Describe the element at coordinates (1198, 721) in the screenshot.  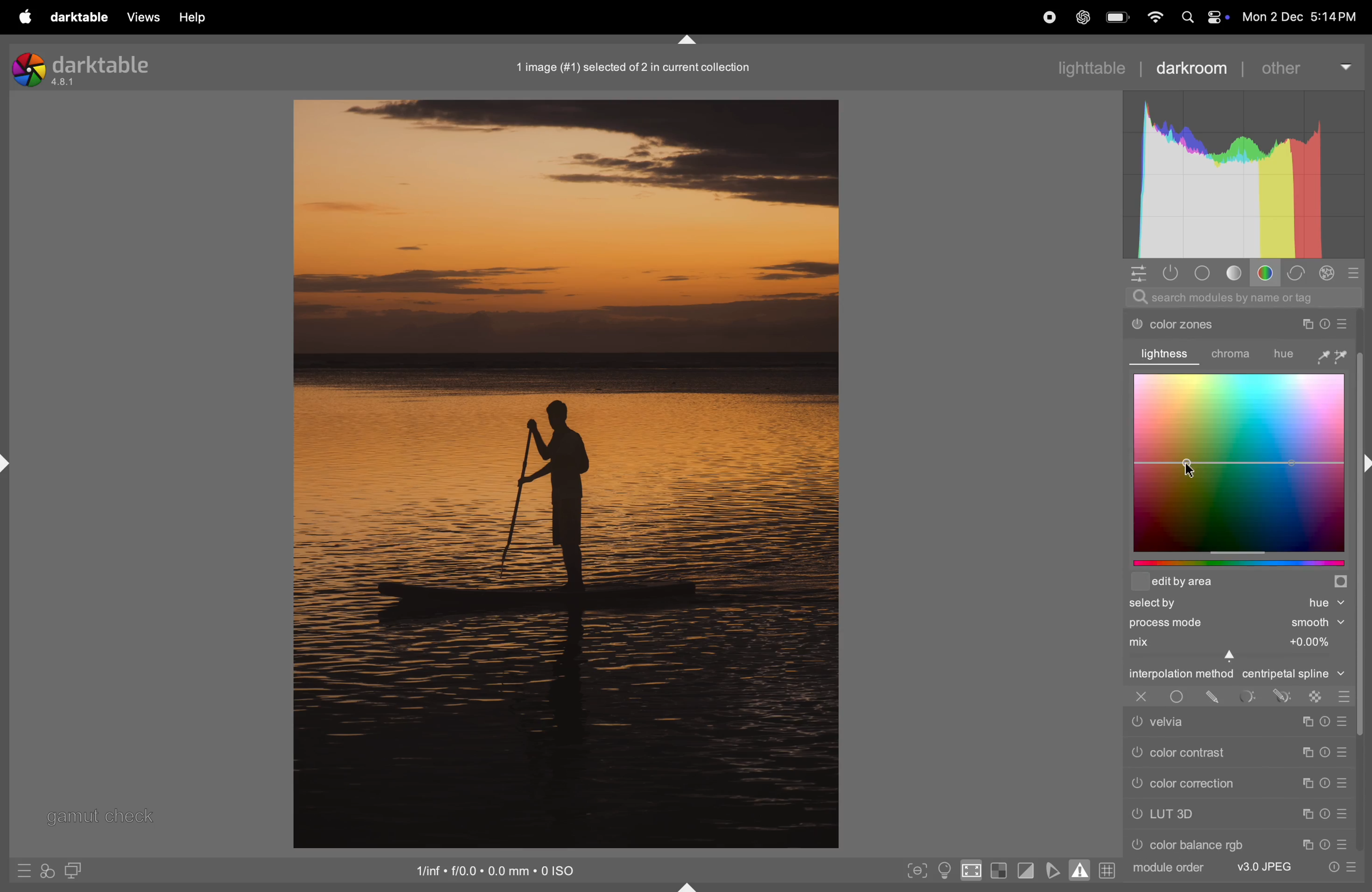
I see `velvia` at that location.